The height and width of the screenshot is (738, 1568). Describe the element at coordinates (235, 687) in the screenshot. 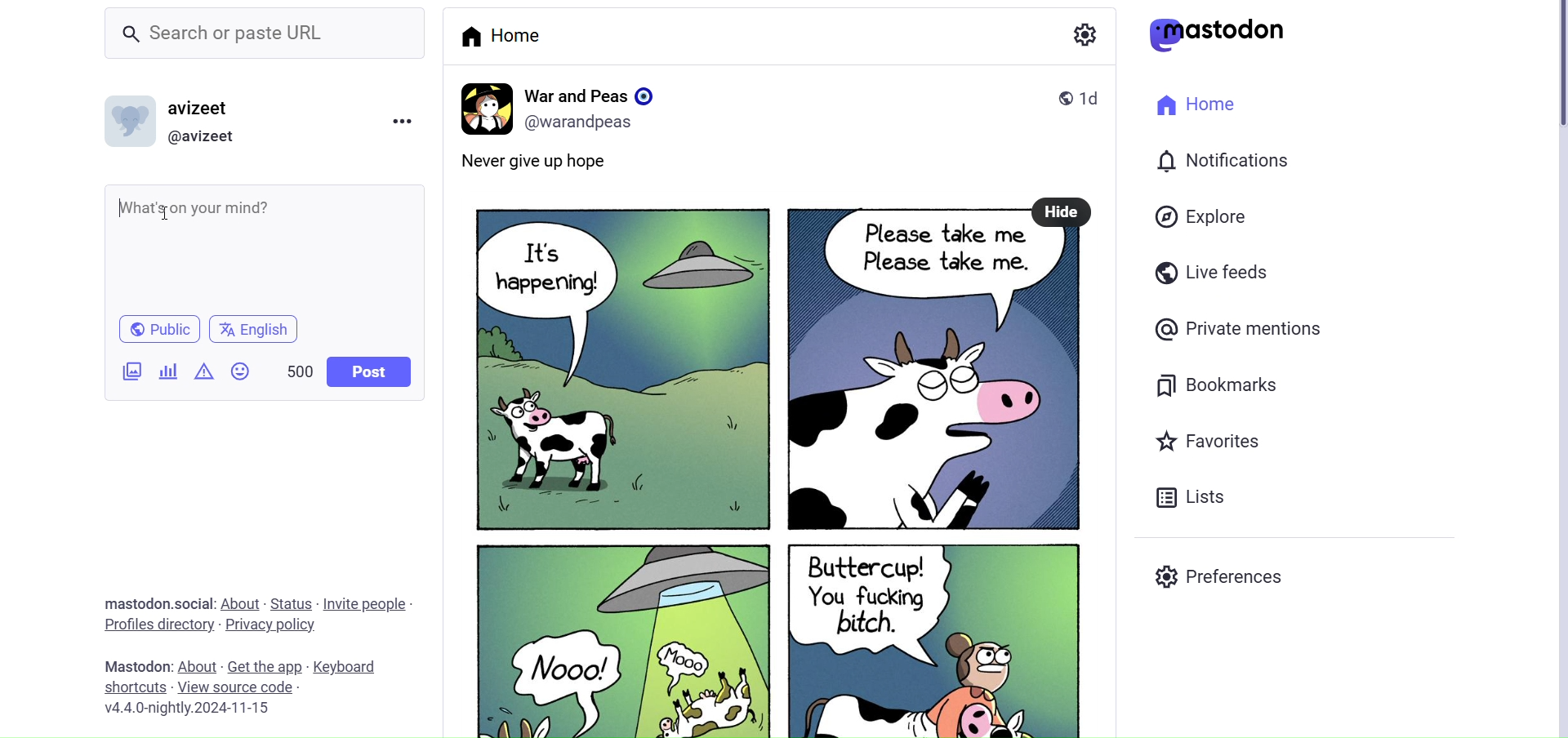

I see `View Source Code` at that location.